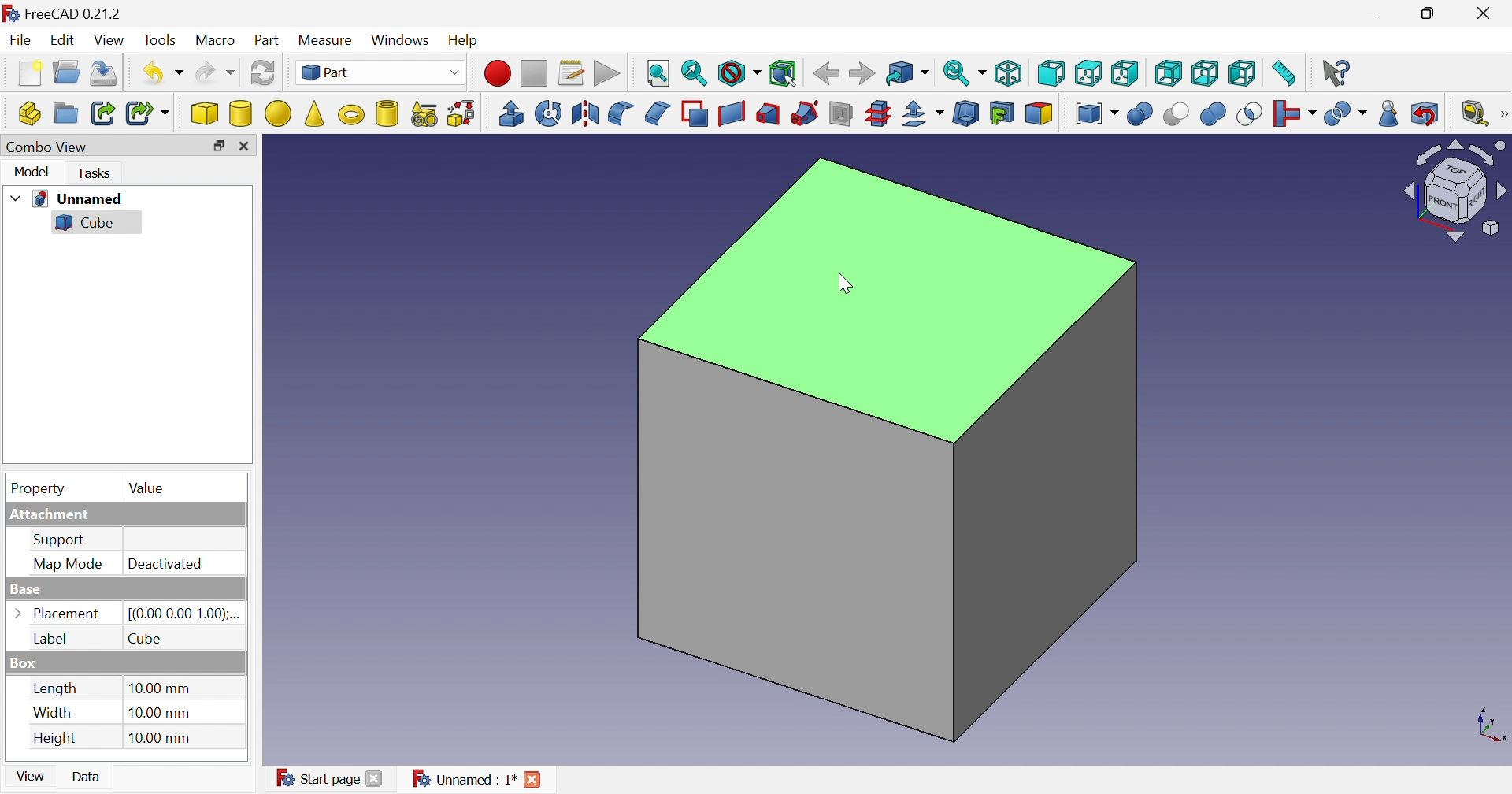  I want to click on Create primitives, so click(425, 113).